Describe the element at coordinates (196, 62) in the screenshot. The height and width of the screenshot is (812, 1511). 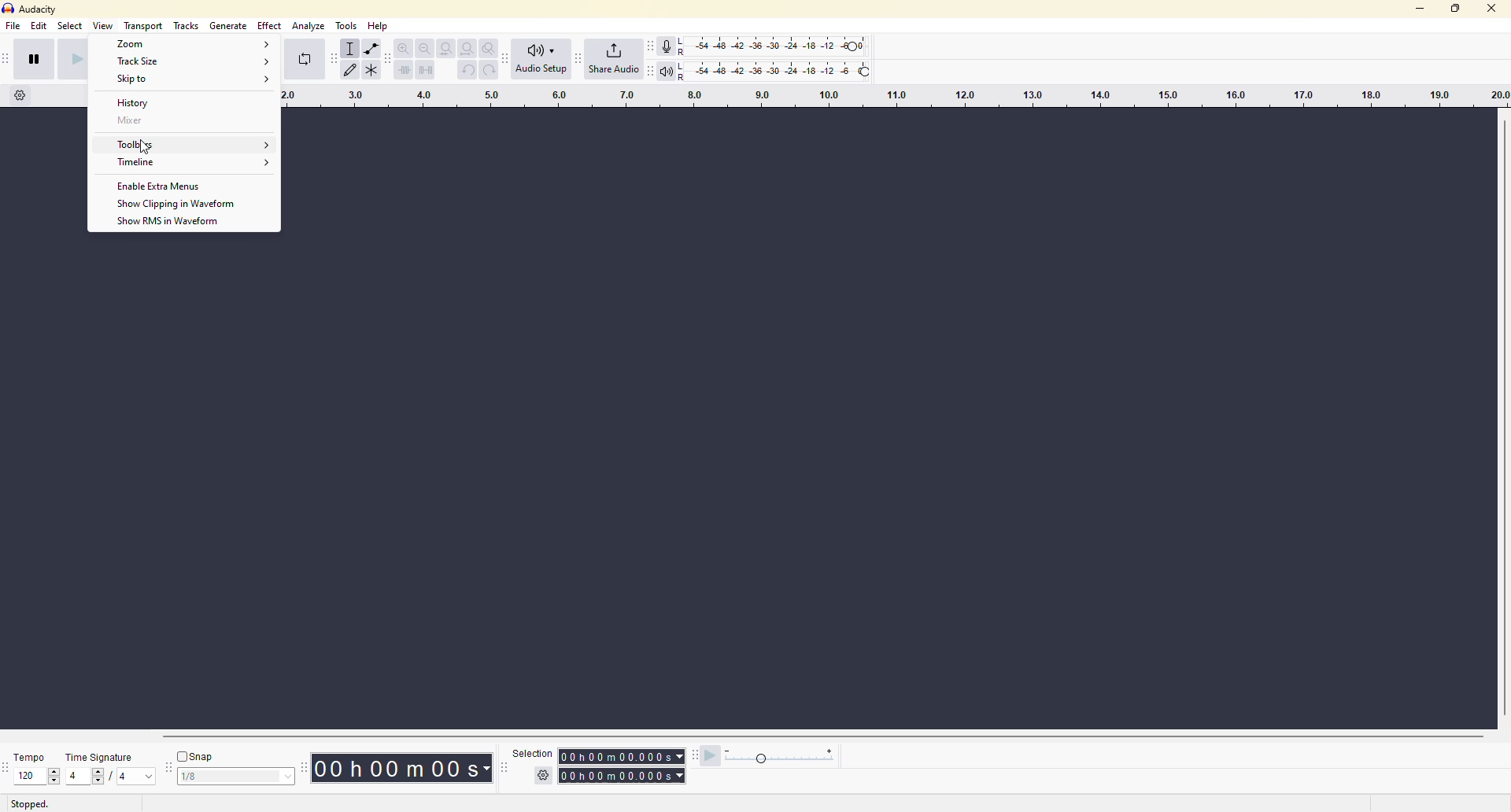
I see `Track Size` at that location.